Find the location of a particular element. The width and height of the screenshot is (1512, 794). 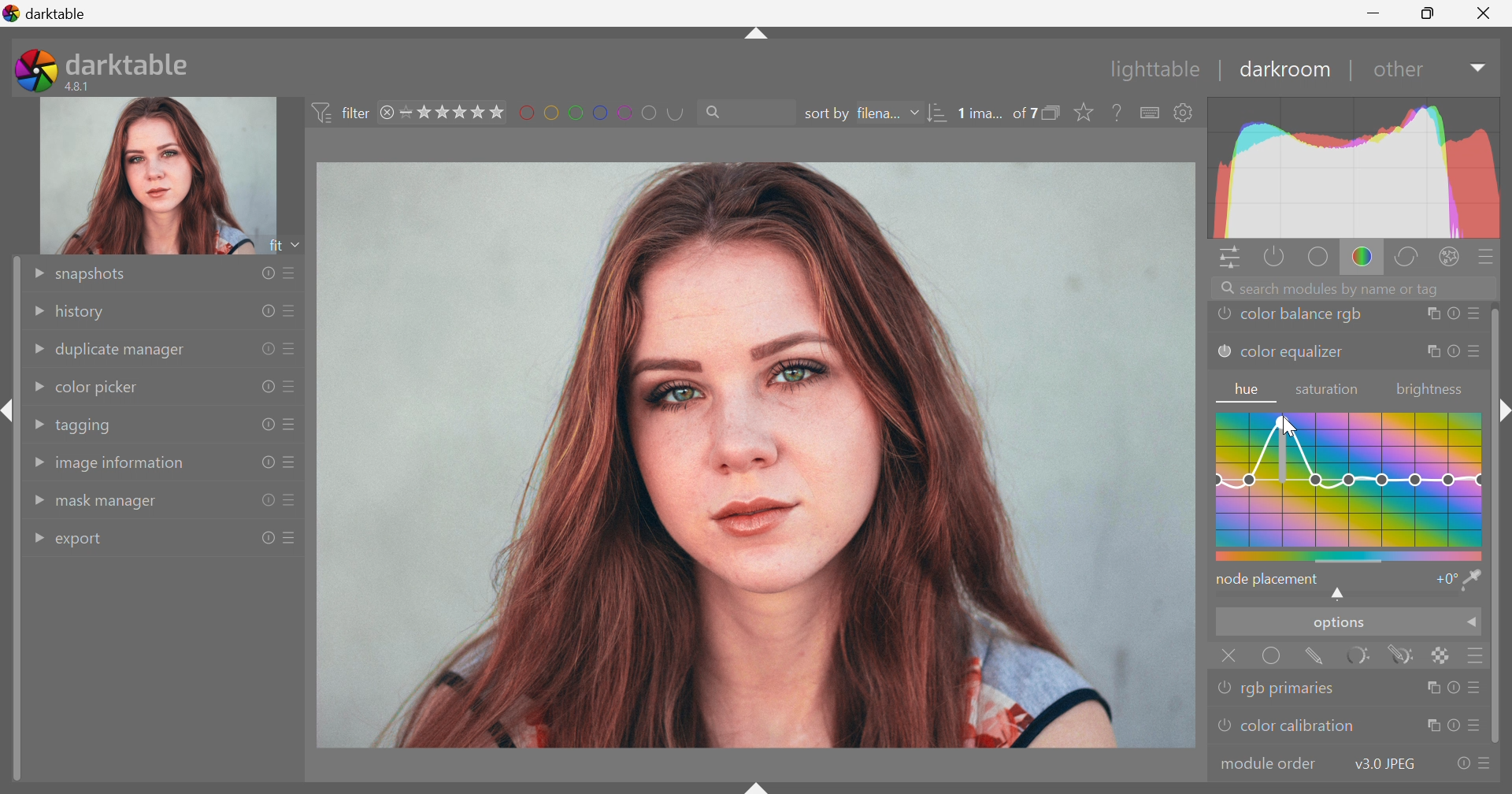

Minimize is located at coordinates (1373, 13).